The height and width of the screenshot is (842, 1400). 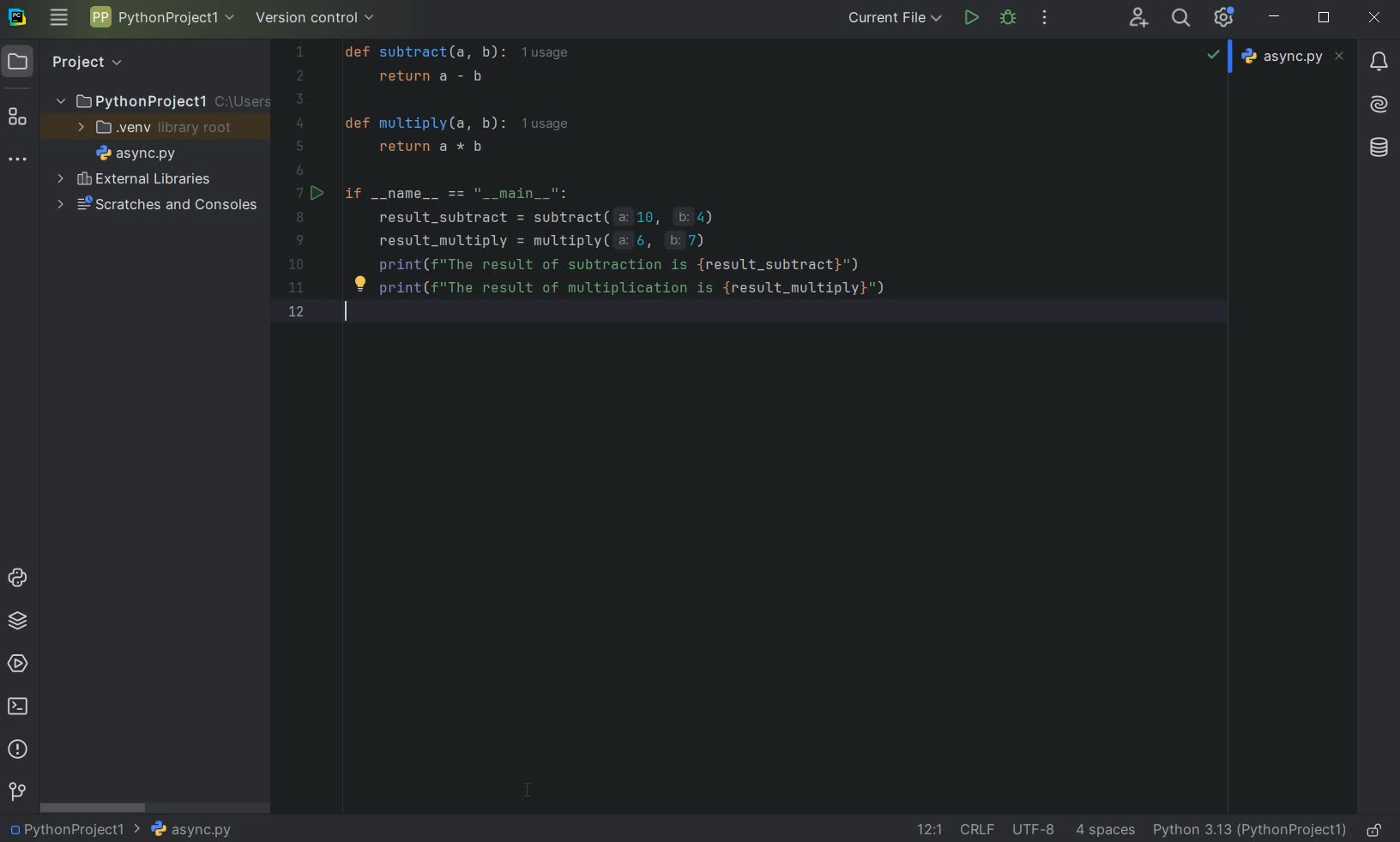 What do you see at coordinates (160, 17) in the screenshot?
I see `project name` at bounding box center [160, 17].